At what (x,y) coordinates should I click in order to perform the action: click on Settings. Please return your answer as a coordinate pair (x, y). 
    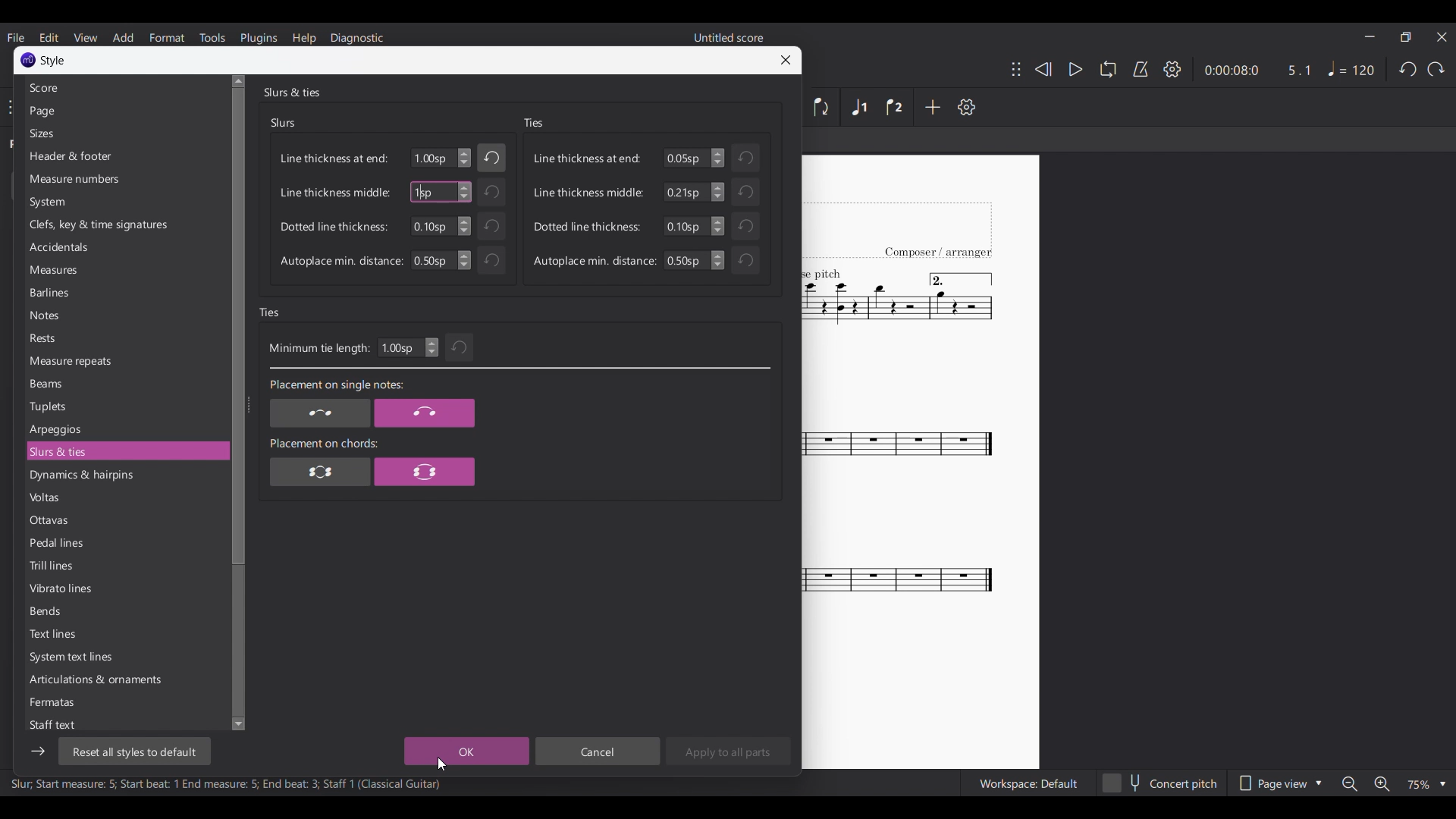
    Looking at the image, I should click on (967, 107).